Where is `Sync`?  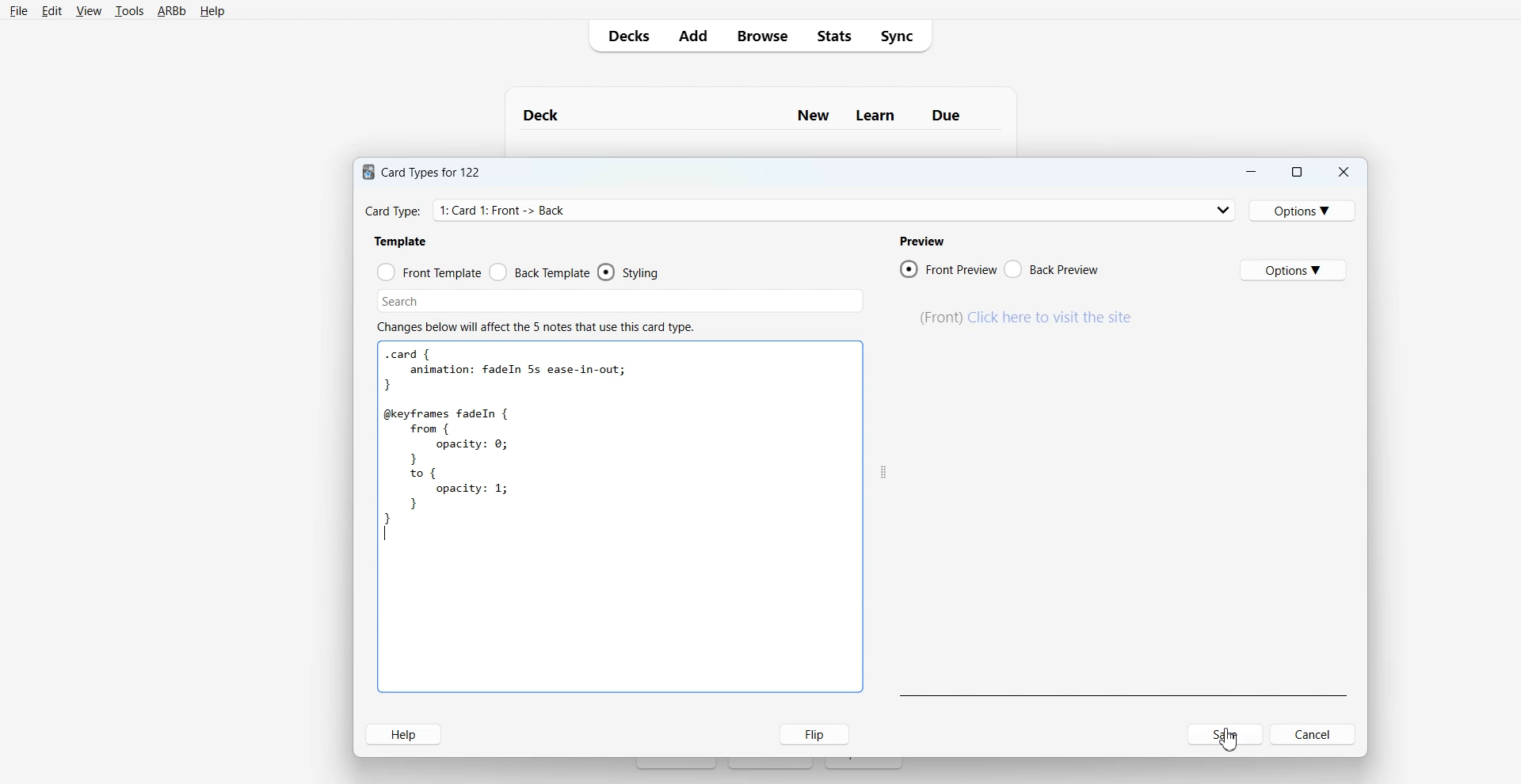 Sync is located at coordinates (901, 34).